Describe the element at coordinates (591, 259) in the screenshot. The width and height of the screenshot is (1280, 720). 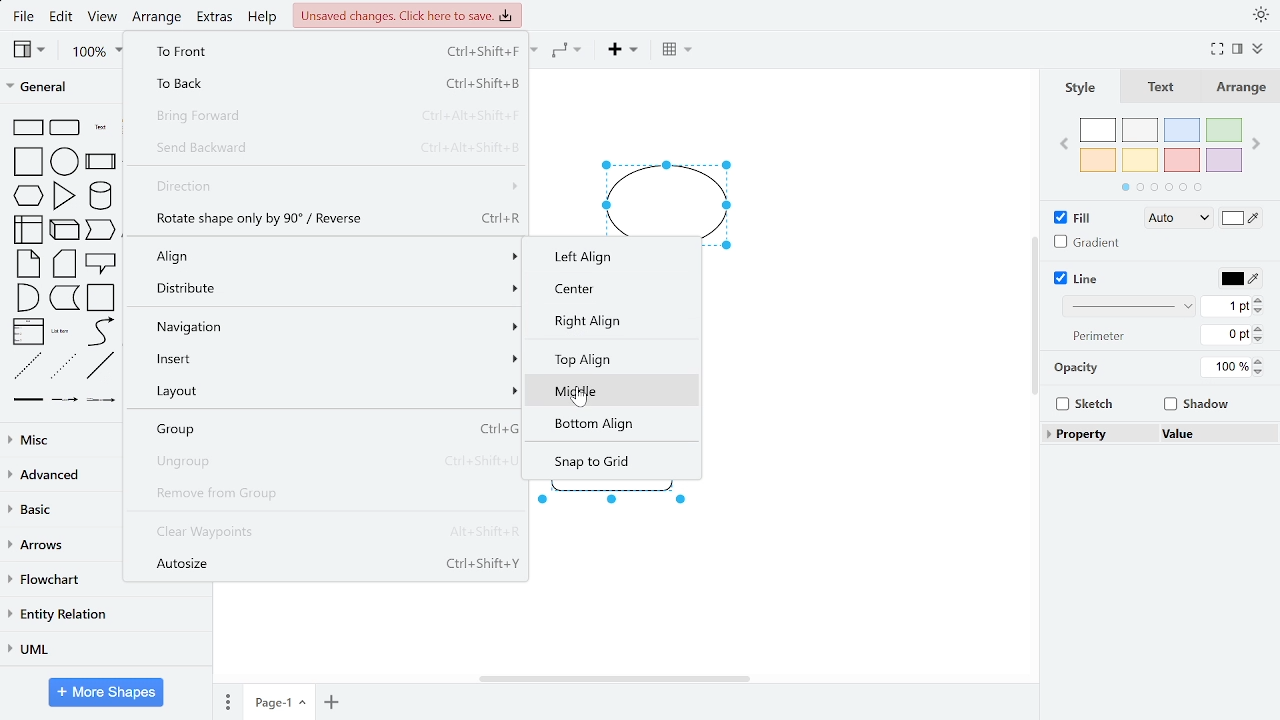
I see `Left Align` at that location.